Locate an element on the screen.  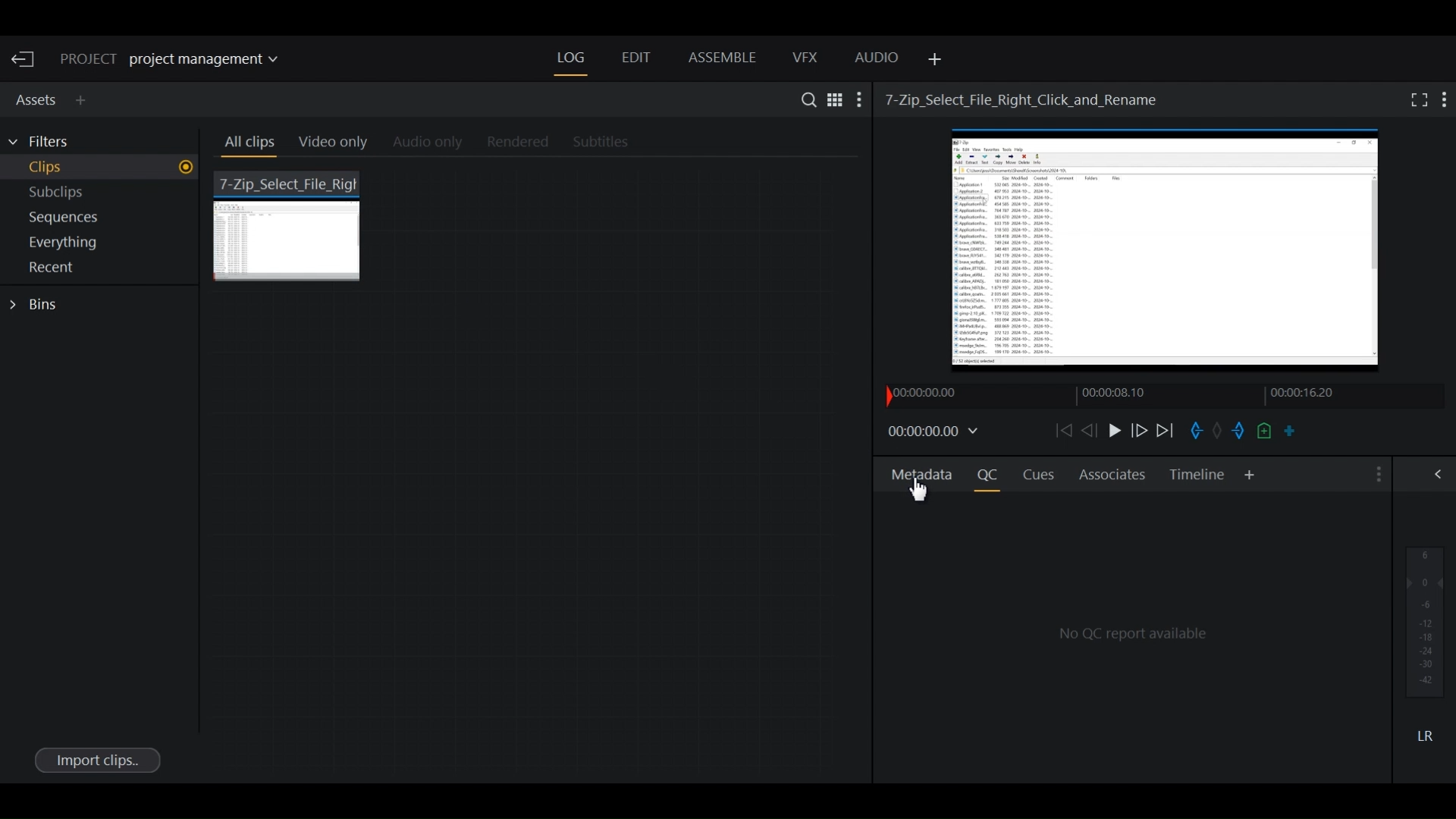
Video Only is located at coordinates (340, 145).